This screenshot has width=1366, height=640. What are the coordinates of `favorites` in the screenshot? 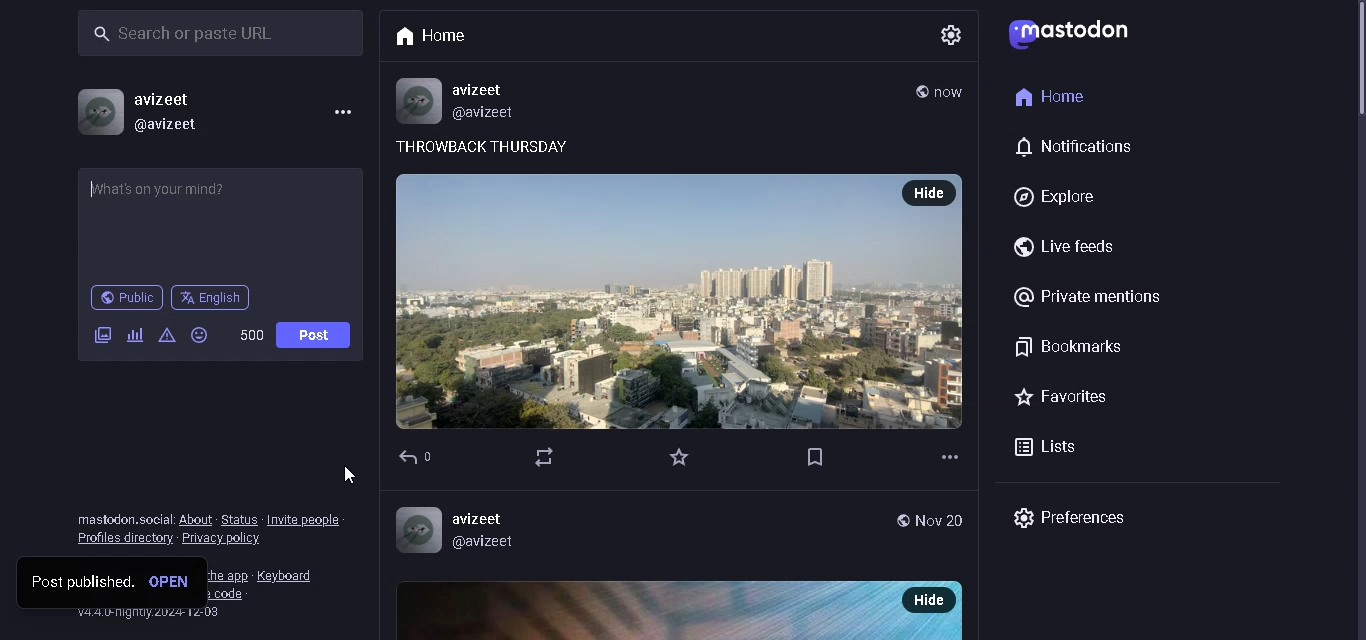 It's located at (1079, 398).